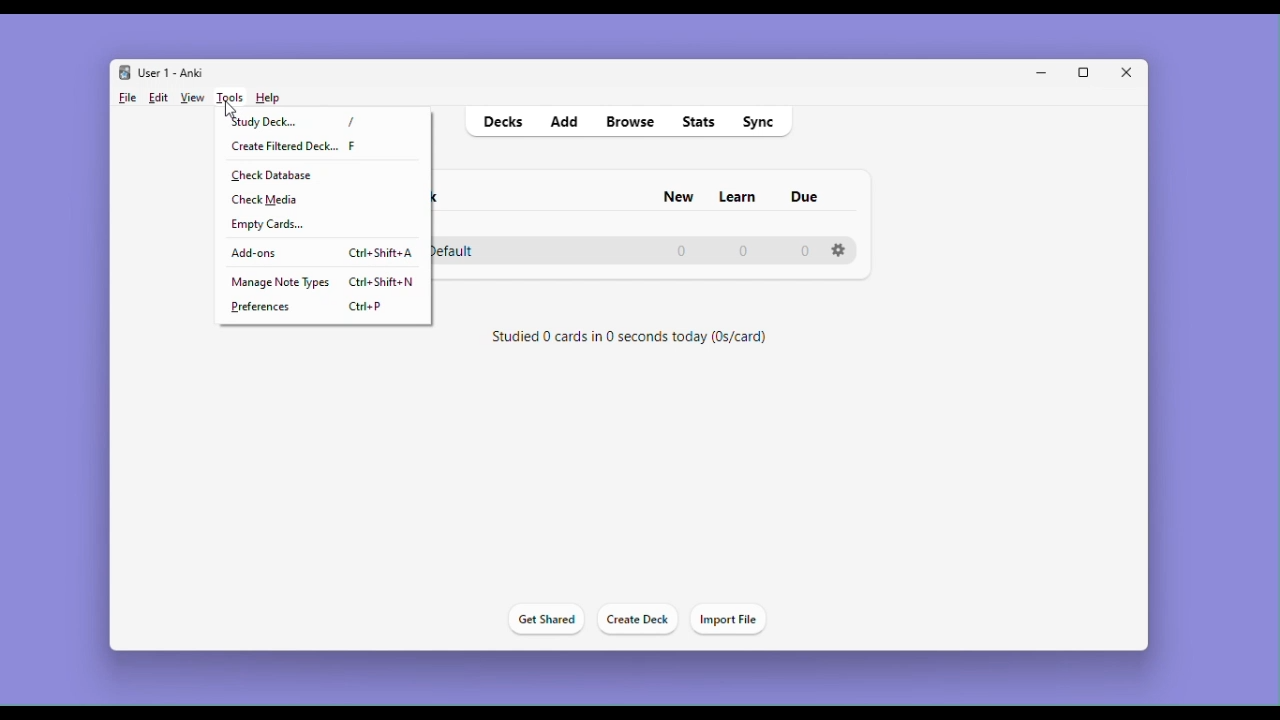 This screenshot has width=1280, height=720. Describe the element at coordinates (735, 622) in the screenshot. I see `Import file` at that location.